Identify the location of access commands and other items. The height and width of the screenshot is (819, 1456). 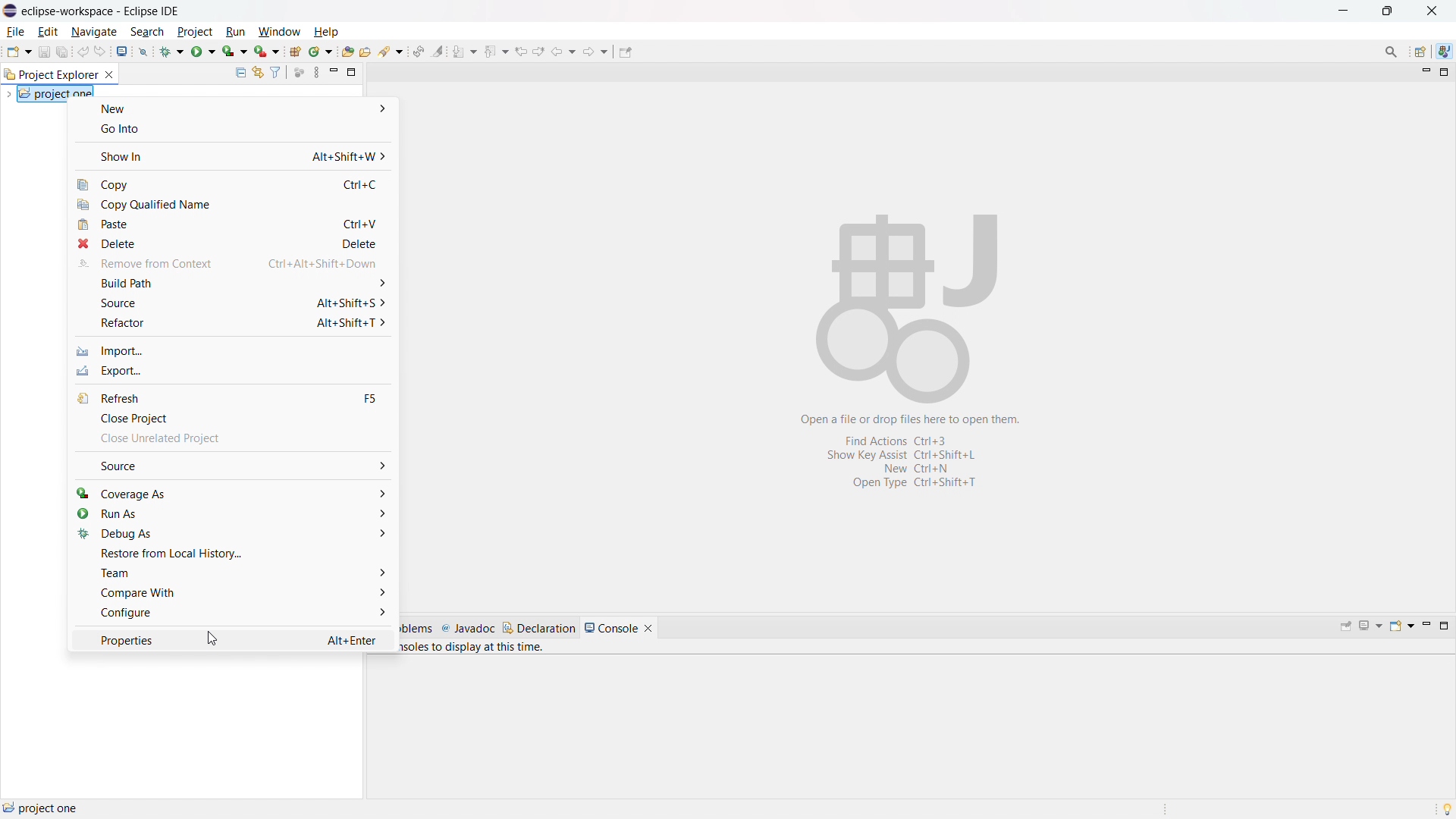
(1392, 51).